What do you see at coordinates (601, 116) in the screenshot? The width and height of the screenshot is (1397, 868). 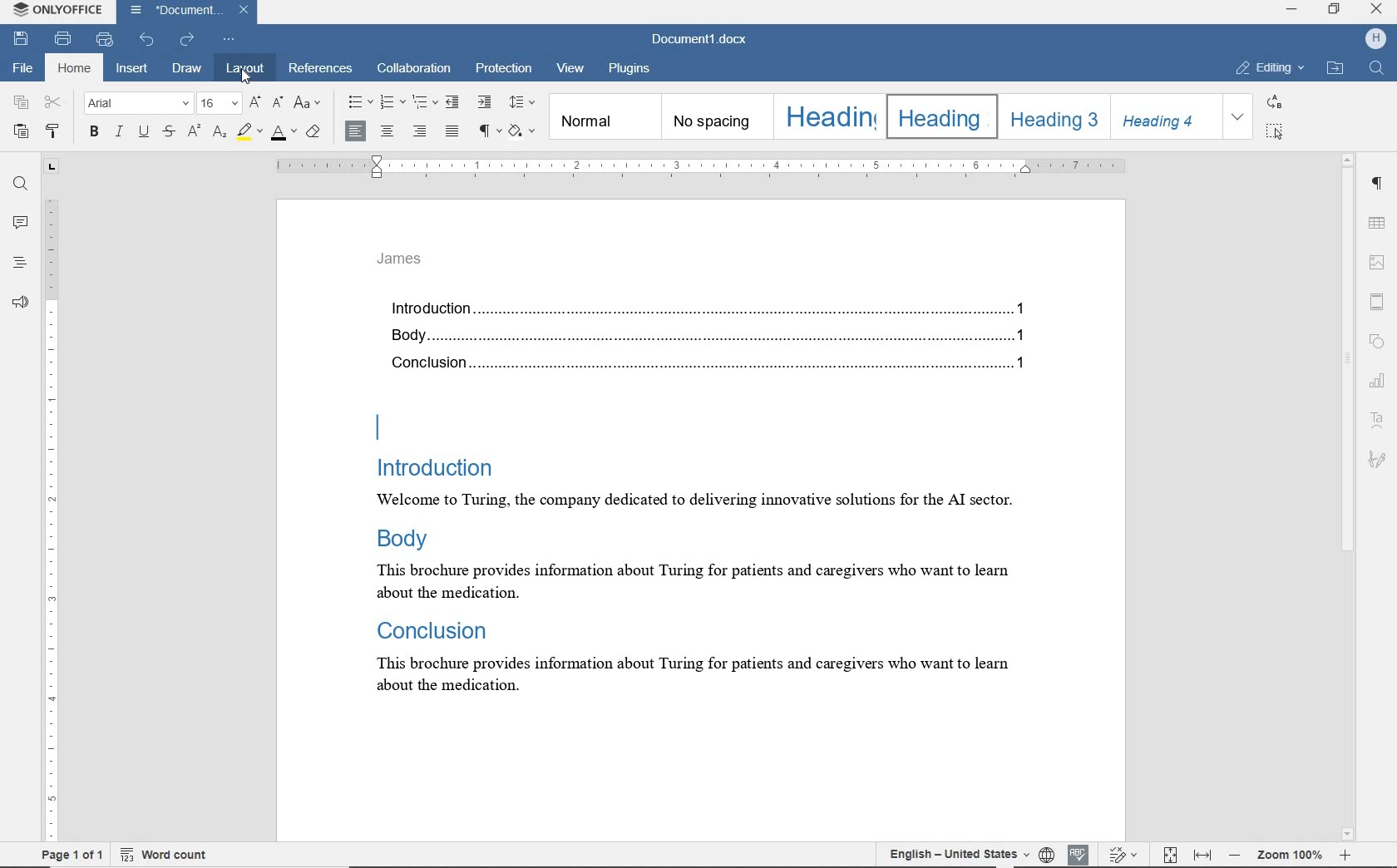 I see `NORMAL` at bounding box center [601, 116].